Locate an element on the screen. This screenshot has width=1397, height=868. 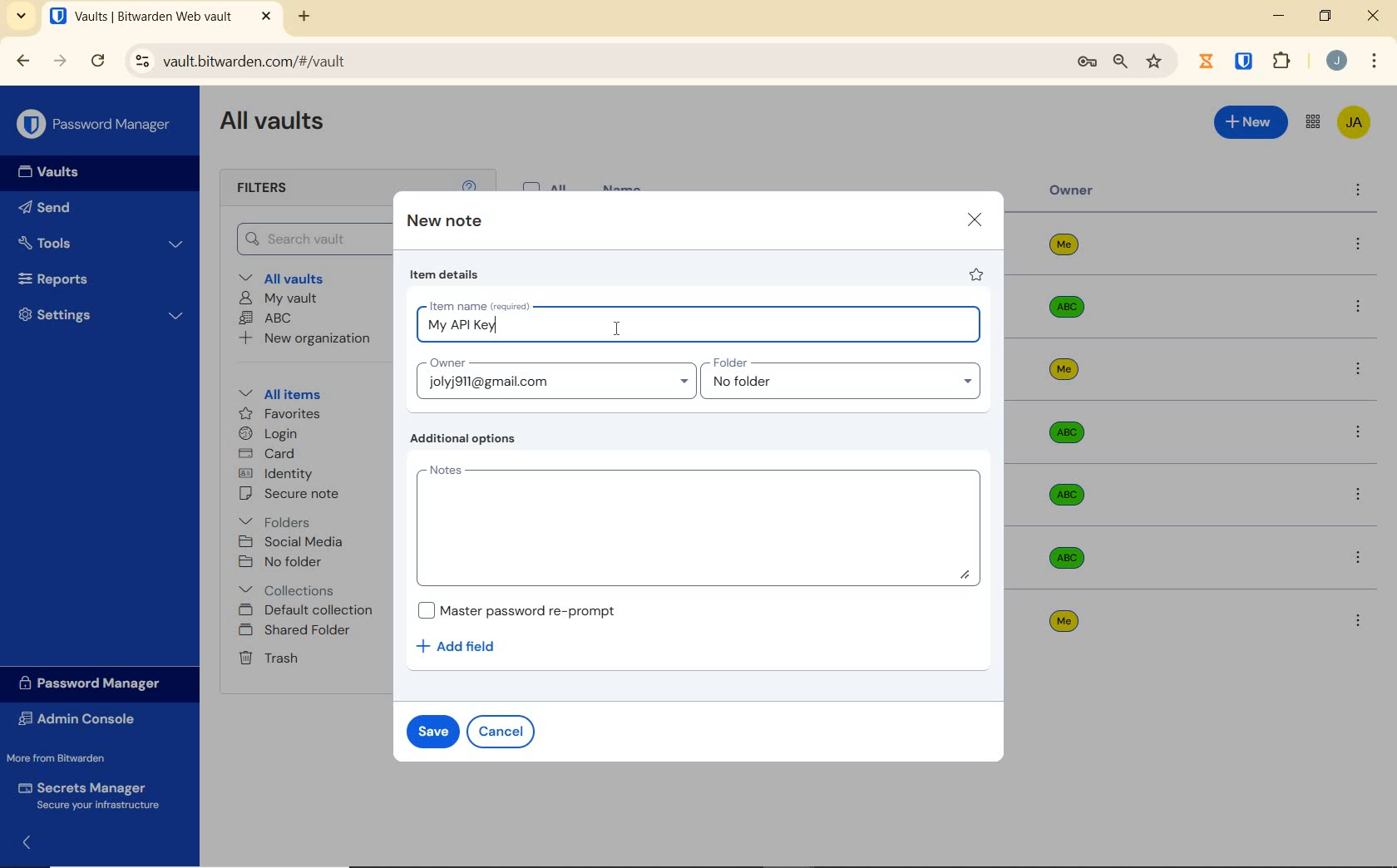
close is located at coordinates (975, 219).